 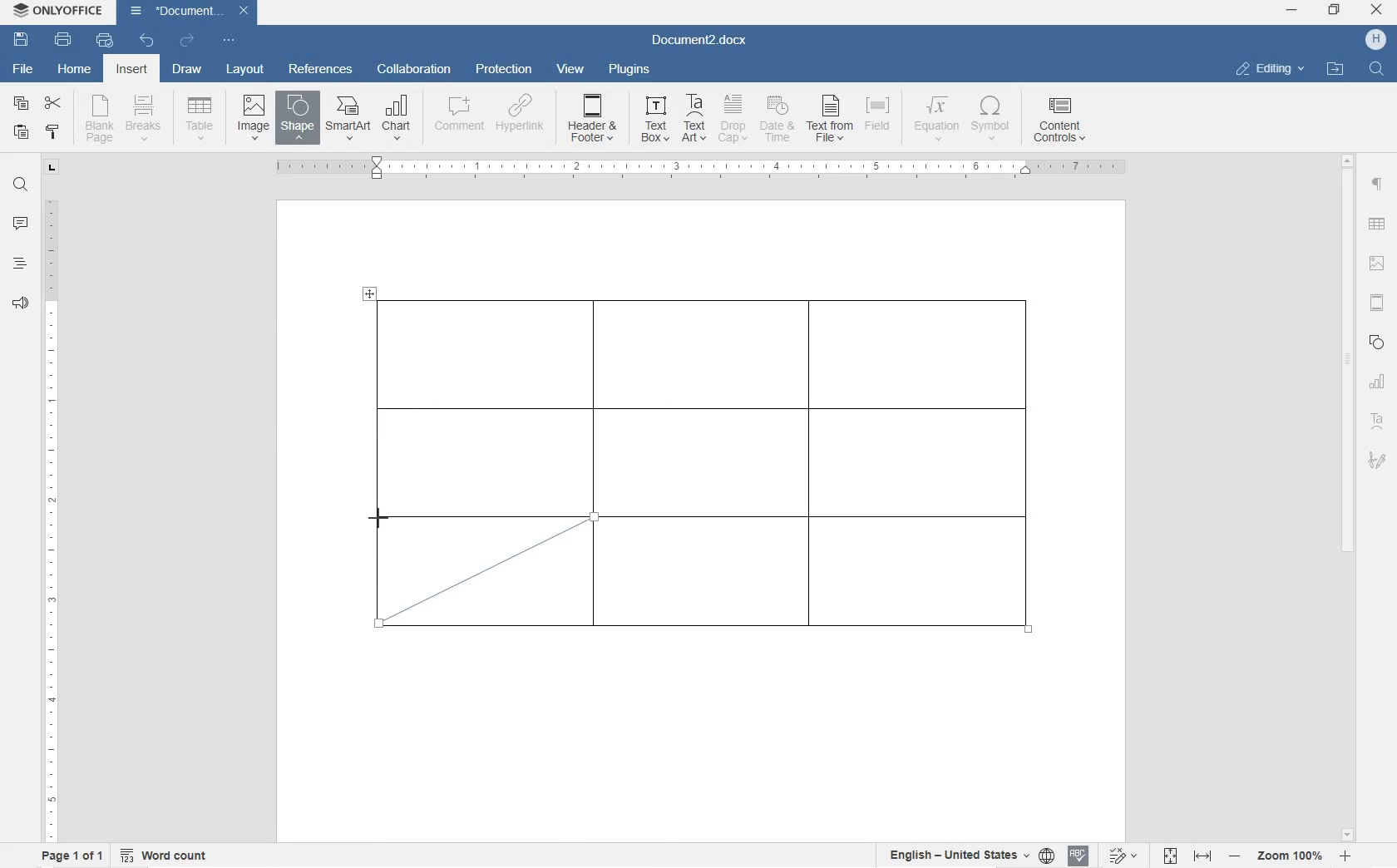 I want to click on HEADER & OOTER, so click(x=593, y=119).